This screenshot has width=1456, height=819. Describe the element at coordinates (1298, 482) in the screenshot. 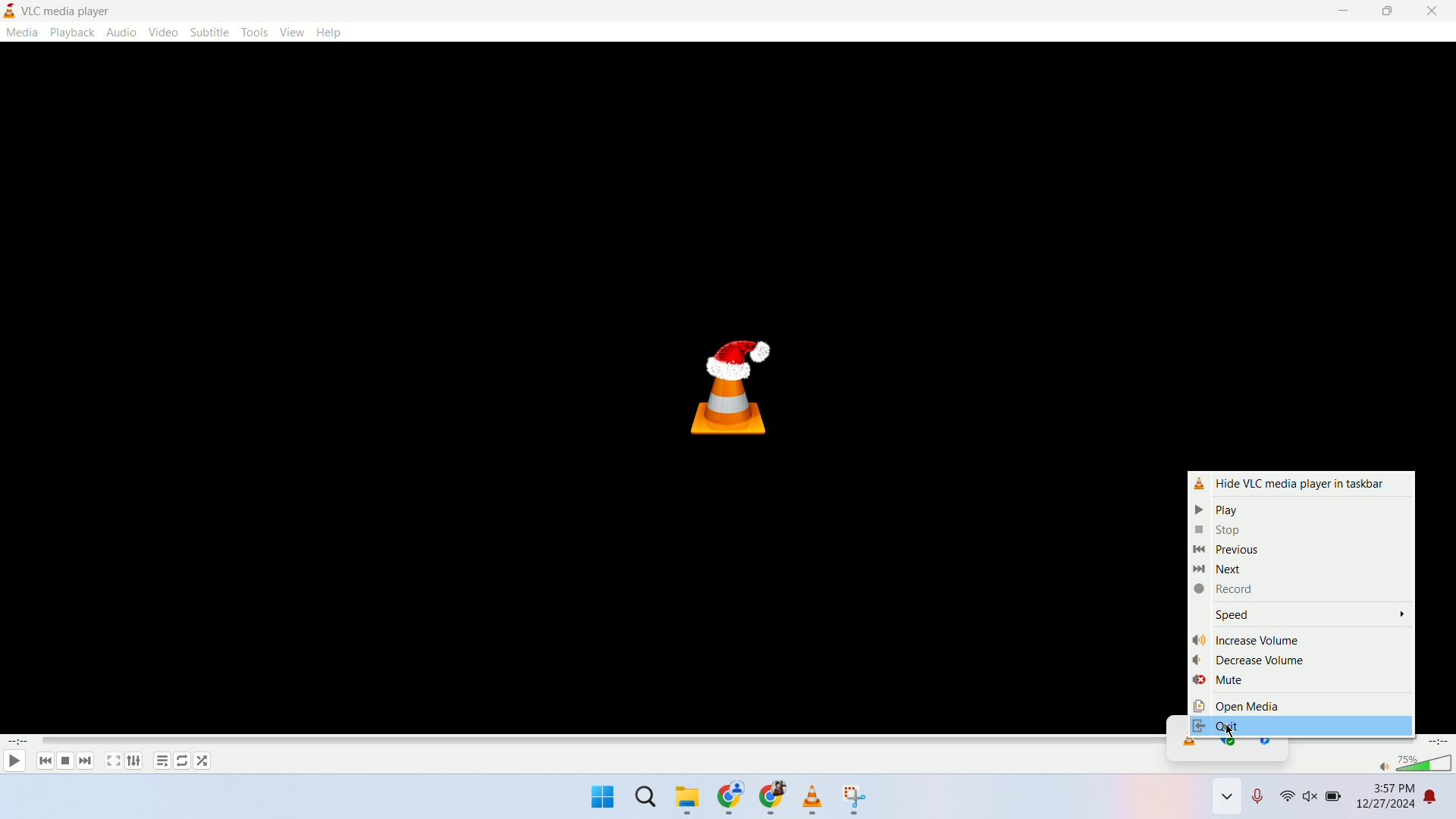

I see `hide vlc in taskbar` at that location.